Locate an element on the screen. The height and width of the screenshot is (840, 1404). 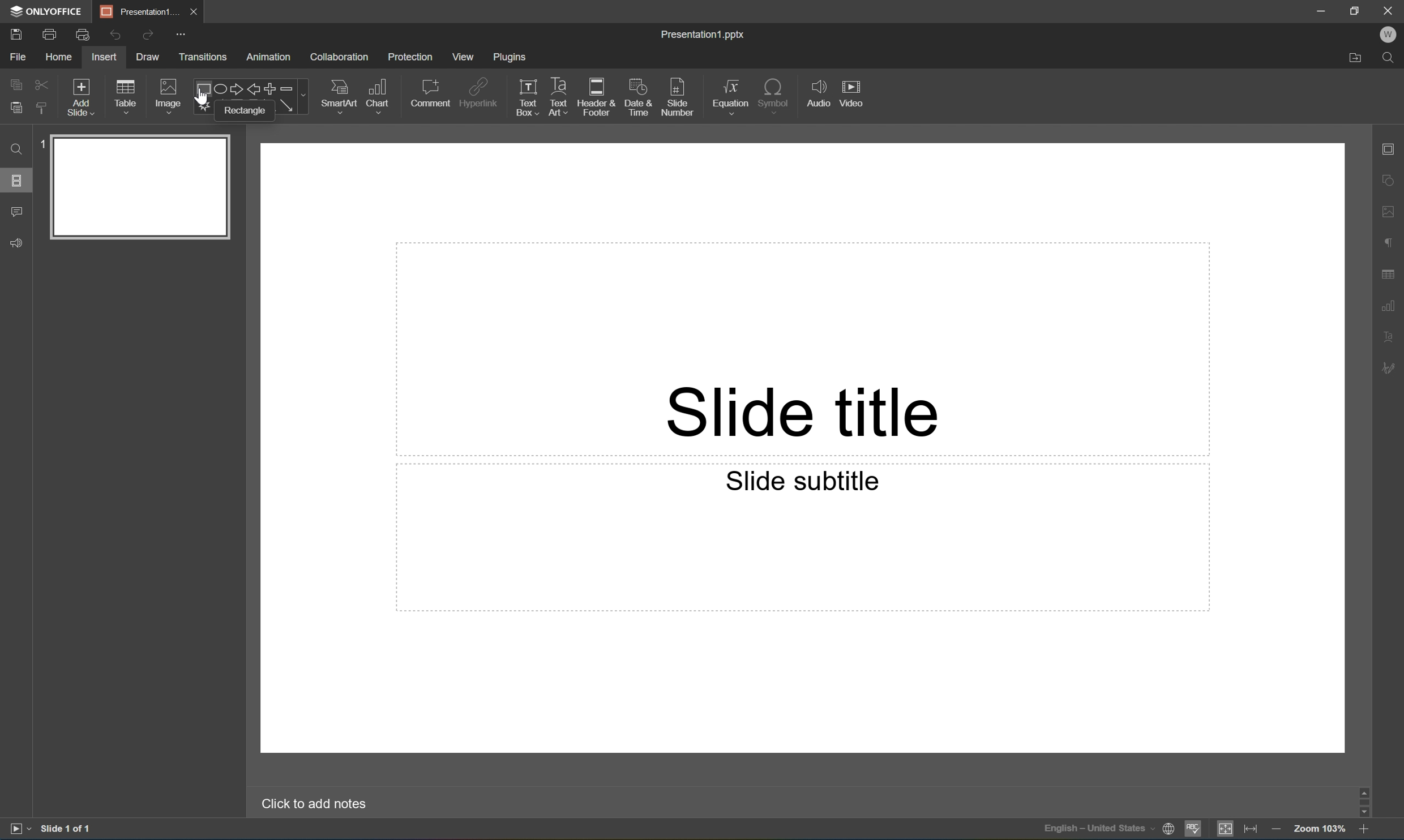
Text Art is located at coordinates (559, 98).